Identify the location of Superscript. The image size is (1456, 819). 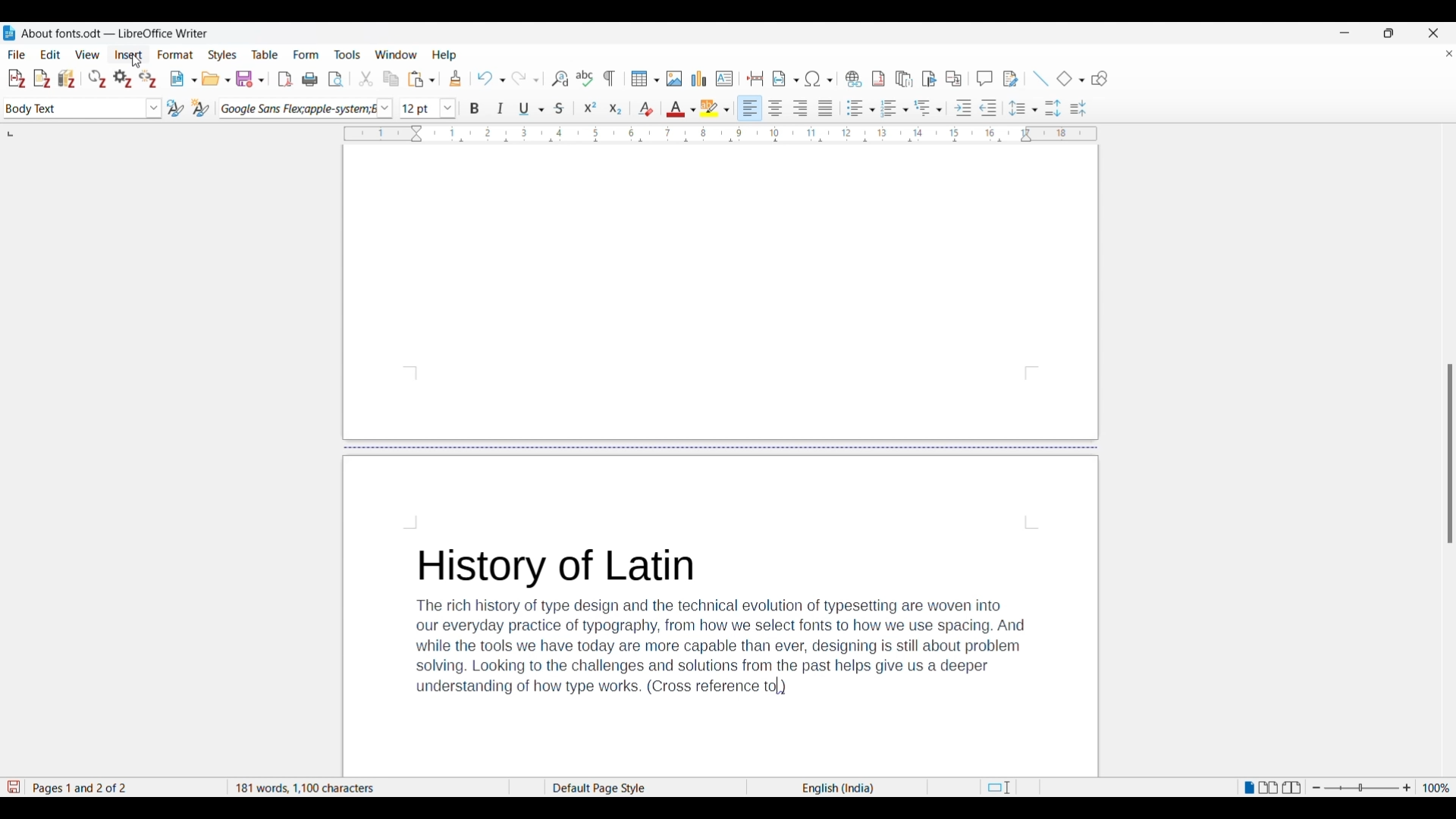
(591, 108).